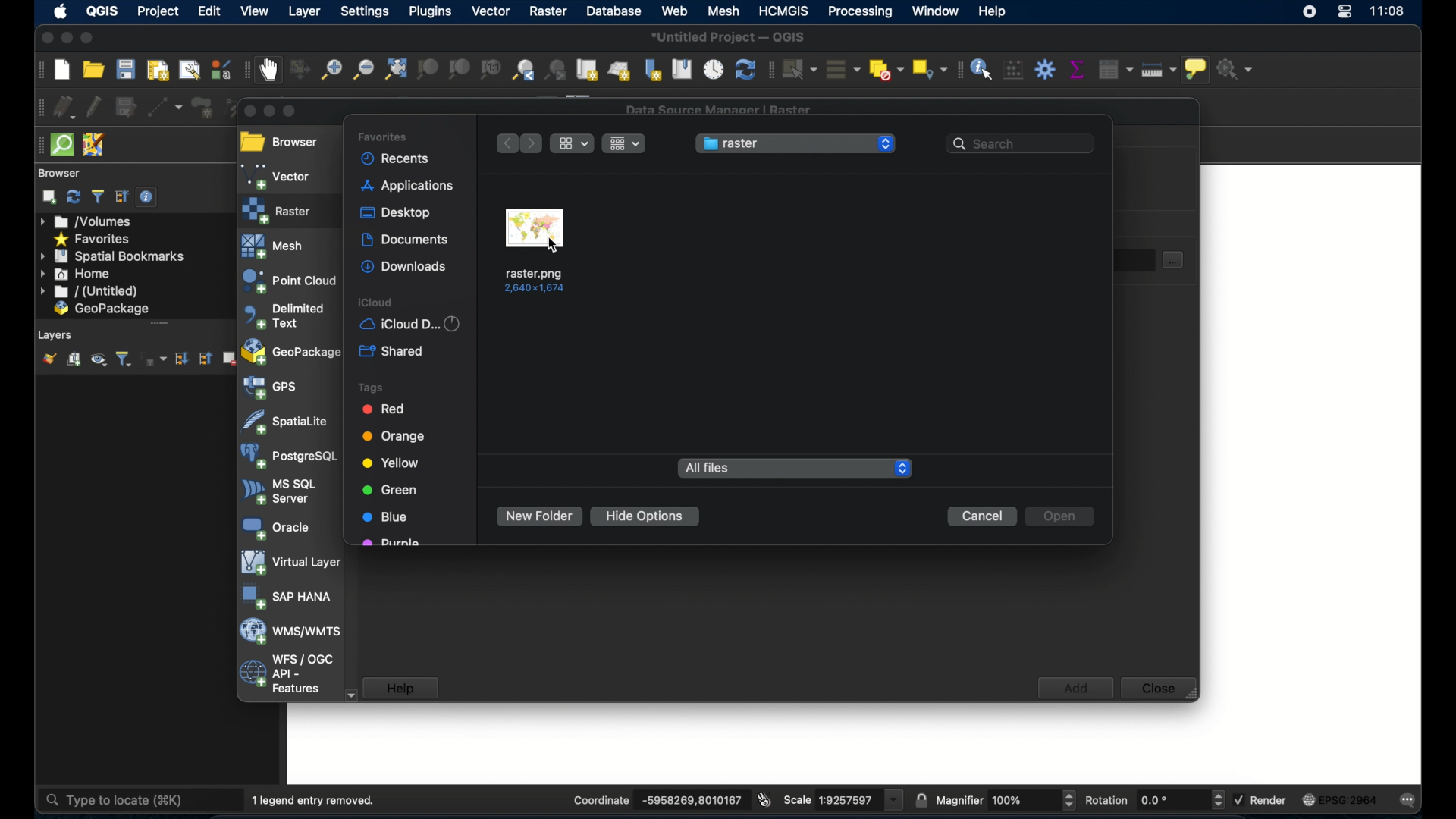  What do you see at coordinates (1389, 13) in the screenshot?
I see `time` at bounding box center [1389, 13].